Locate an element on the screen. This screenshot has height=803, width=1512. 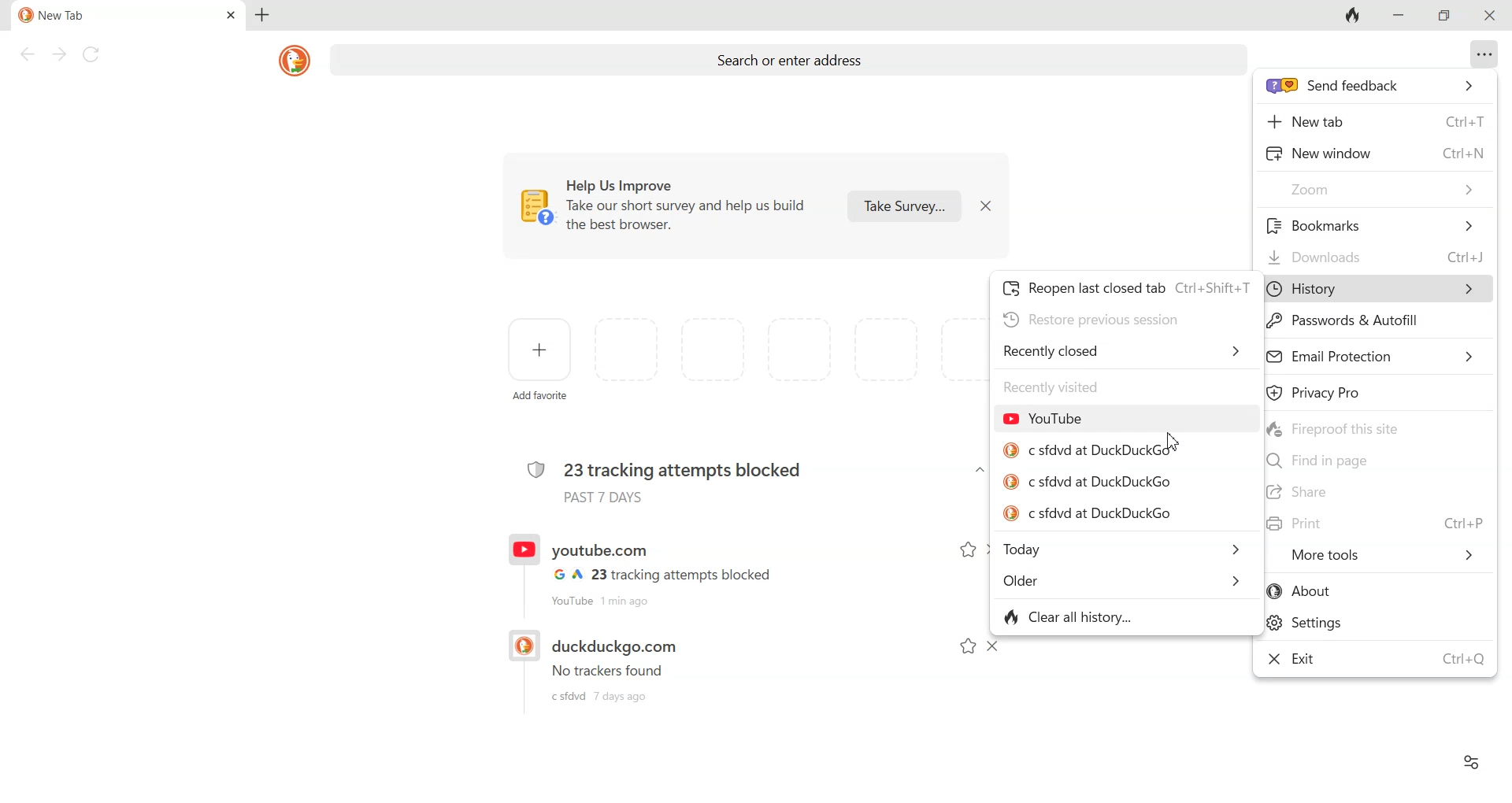
Add favorite is located at coordinates (541, 349).